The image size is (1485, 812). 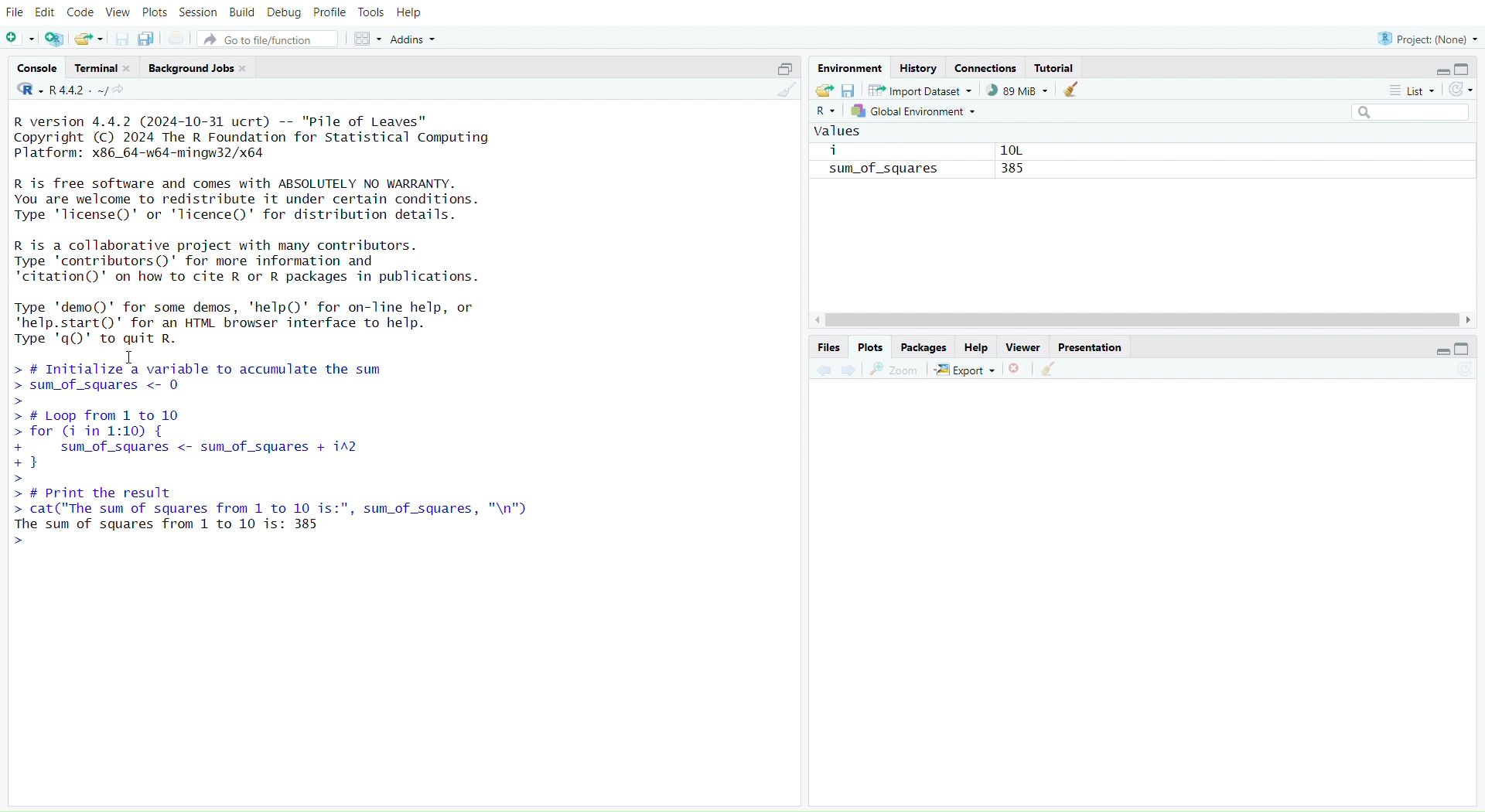 What do you see at coordinates (920, 69) in the screenshot?
I see `history` at bounding box center [920, 69].